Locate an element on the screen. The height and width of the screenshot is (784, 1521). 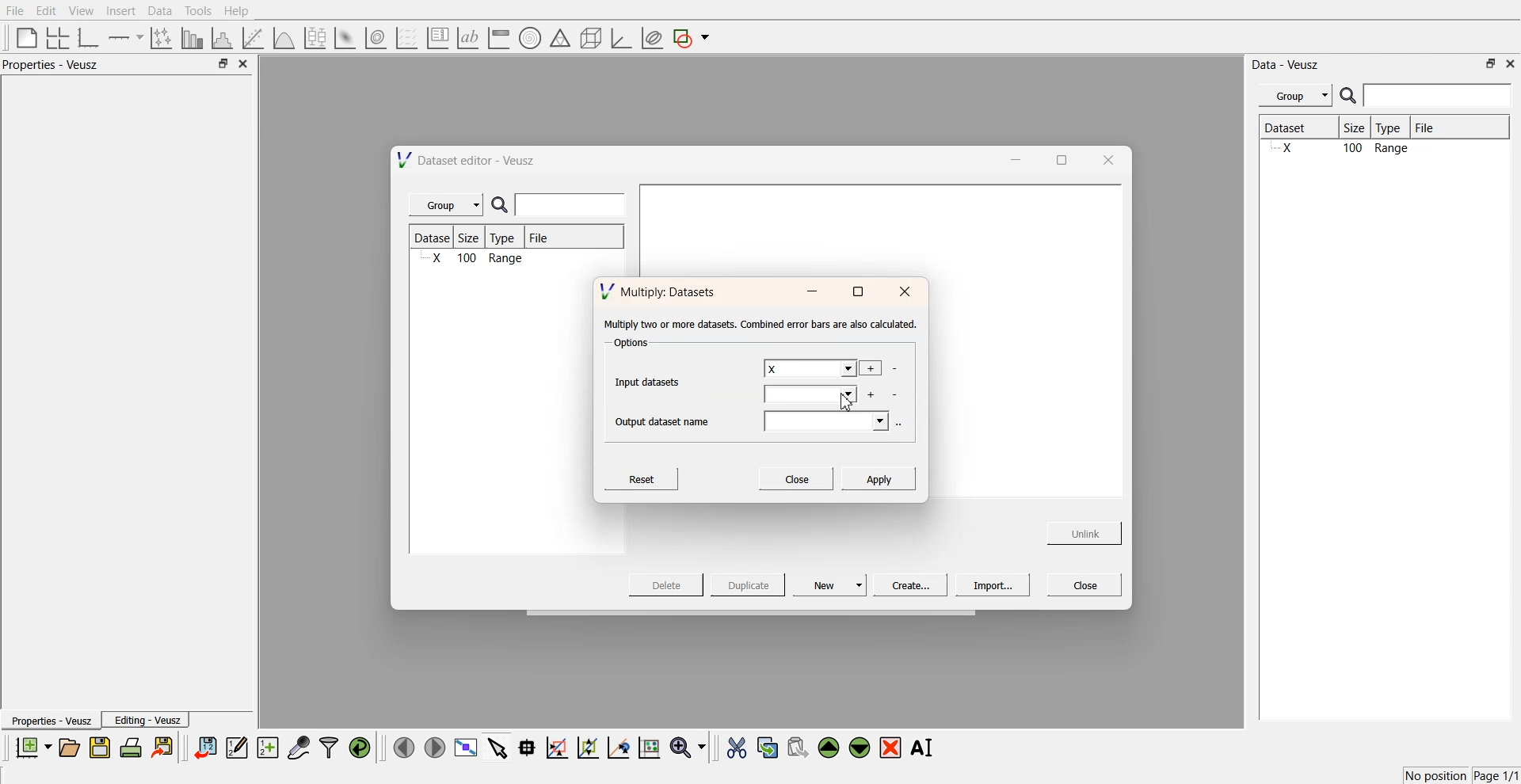
Edit is located at coordinates (47, 10).